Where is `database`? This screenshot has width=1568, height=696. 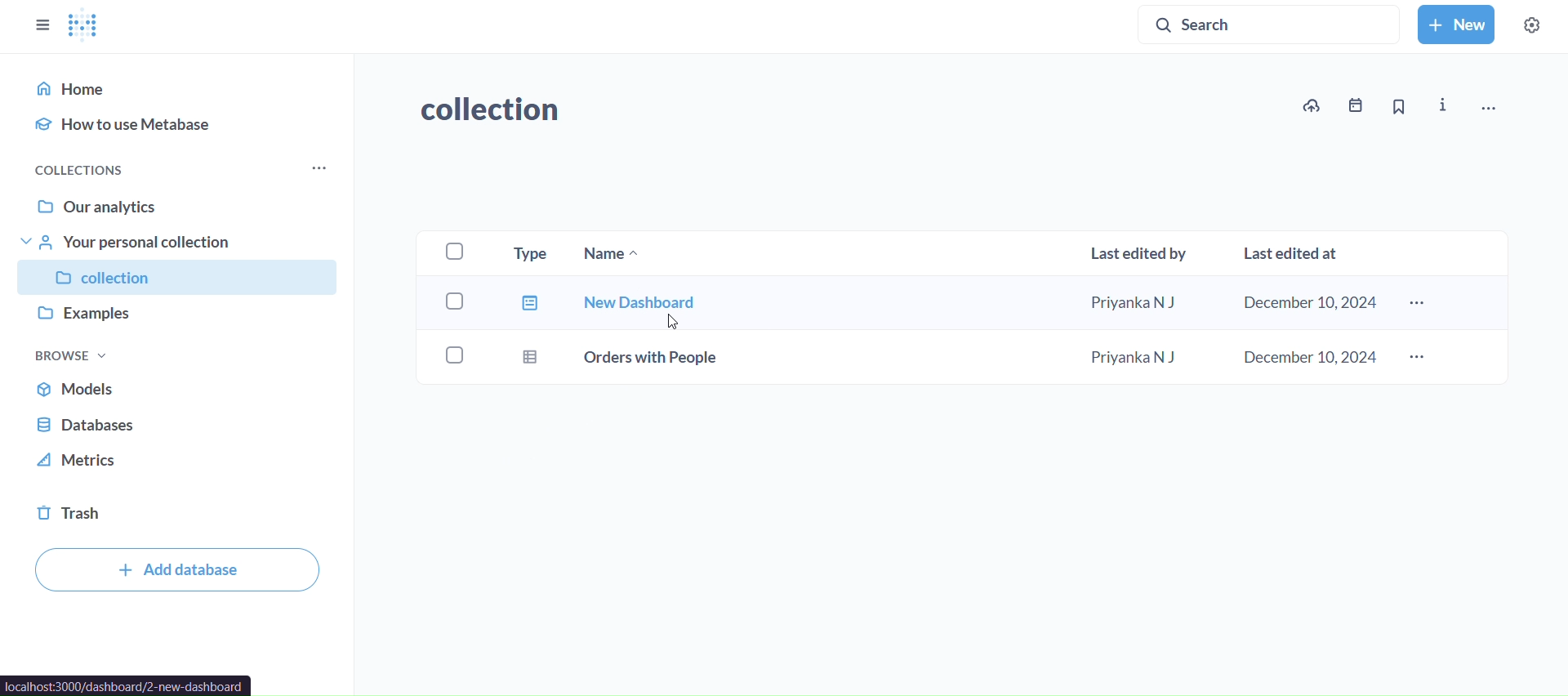
database is located at coordinates (187, 426).